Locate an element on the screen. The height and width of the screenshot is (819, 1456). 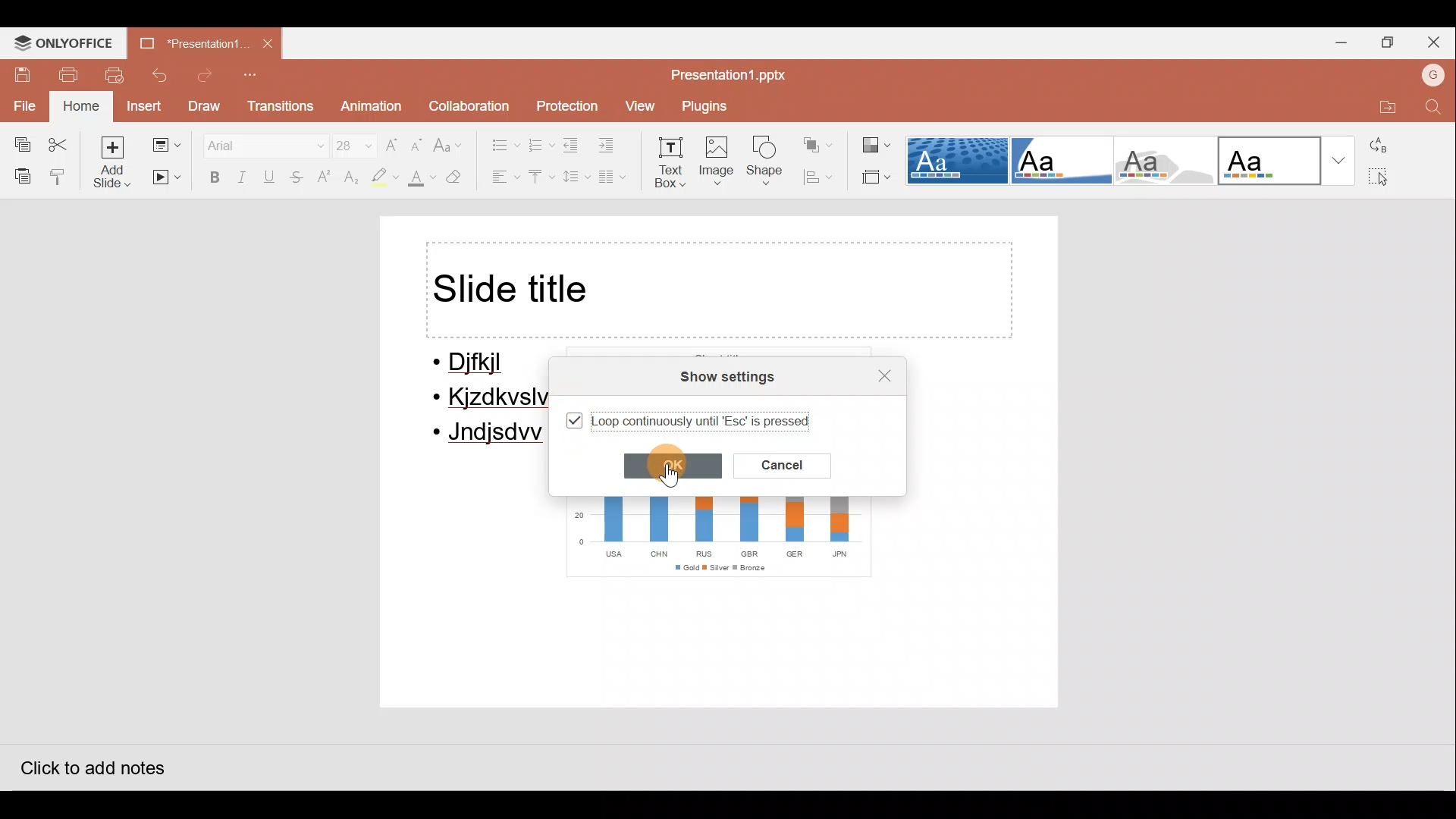
Redo is located at coordinates (206, 75).